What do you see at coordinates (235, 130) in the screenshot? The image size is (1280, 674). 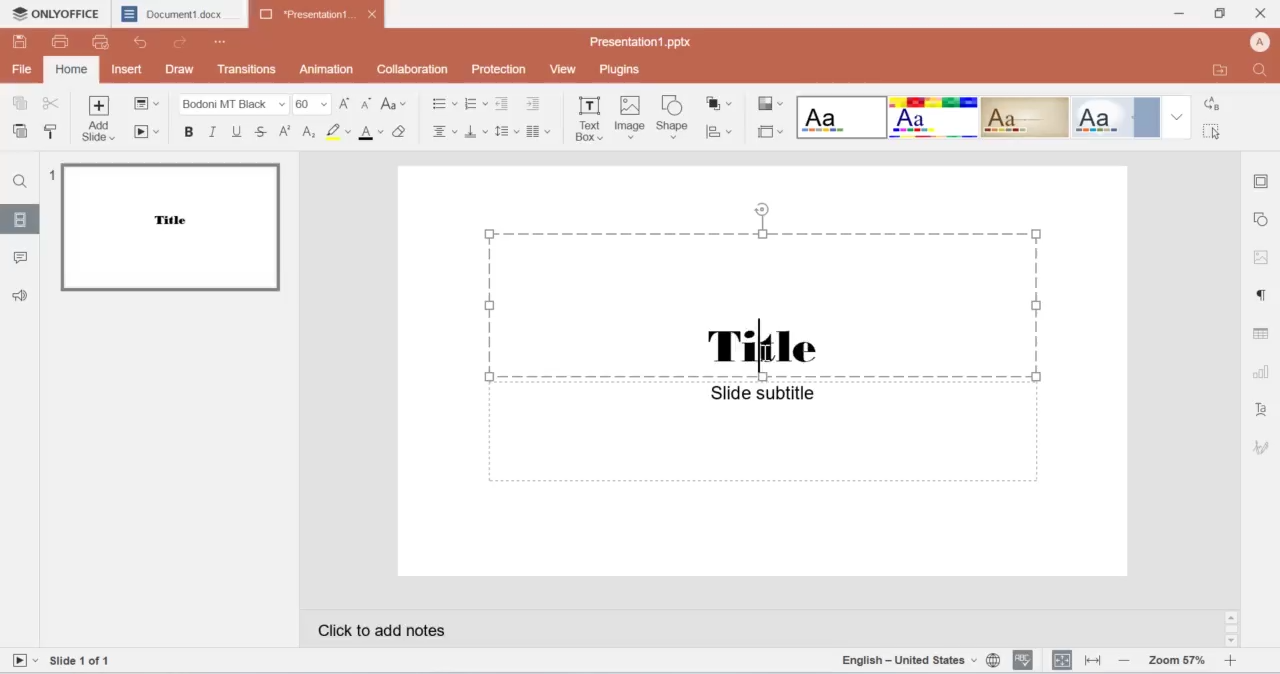 I see `underline` at bounding box center [235, 130].